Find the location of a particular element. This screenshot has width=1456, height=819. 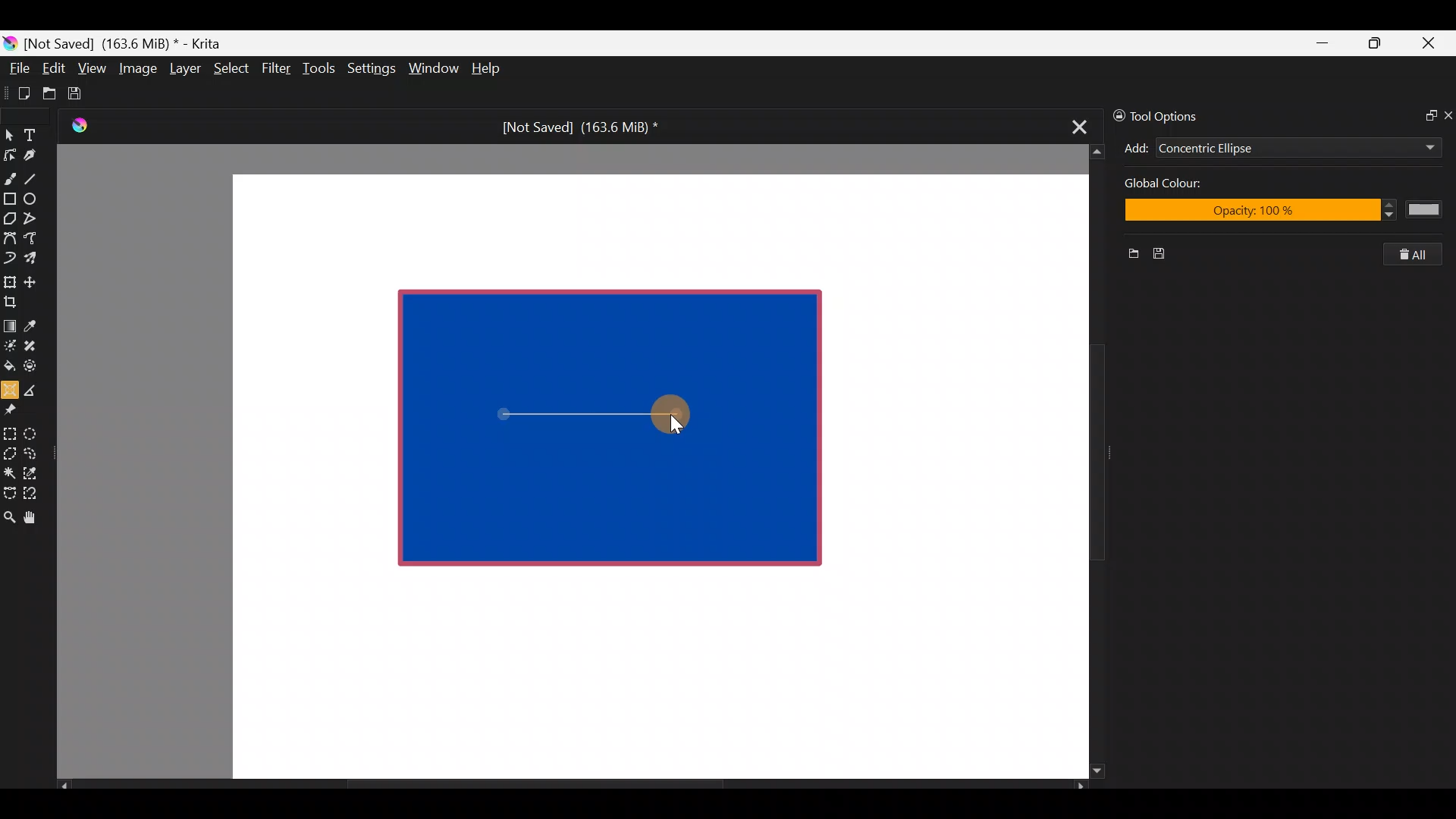

Elliptical selection tool is located at coordinates (36, 431).